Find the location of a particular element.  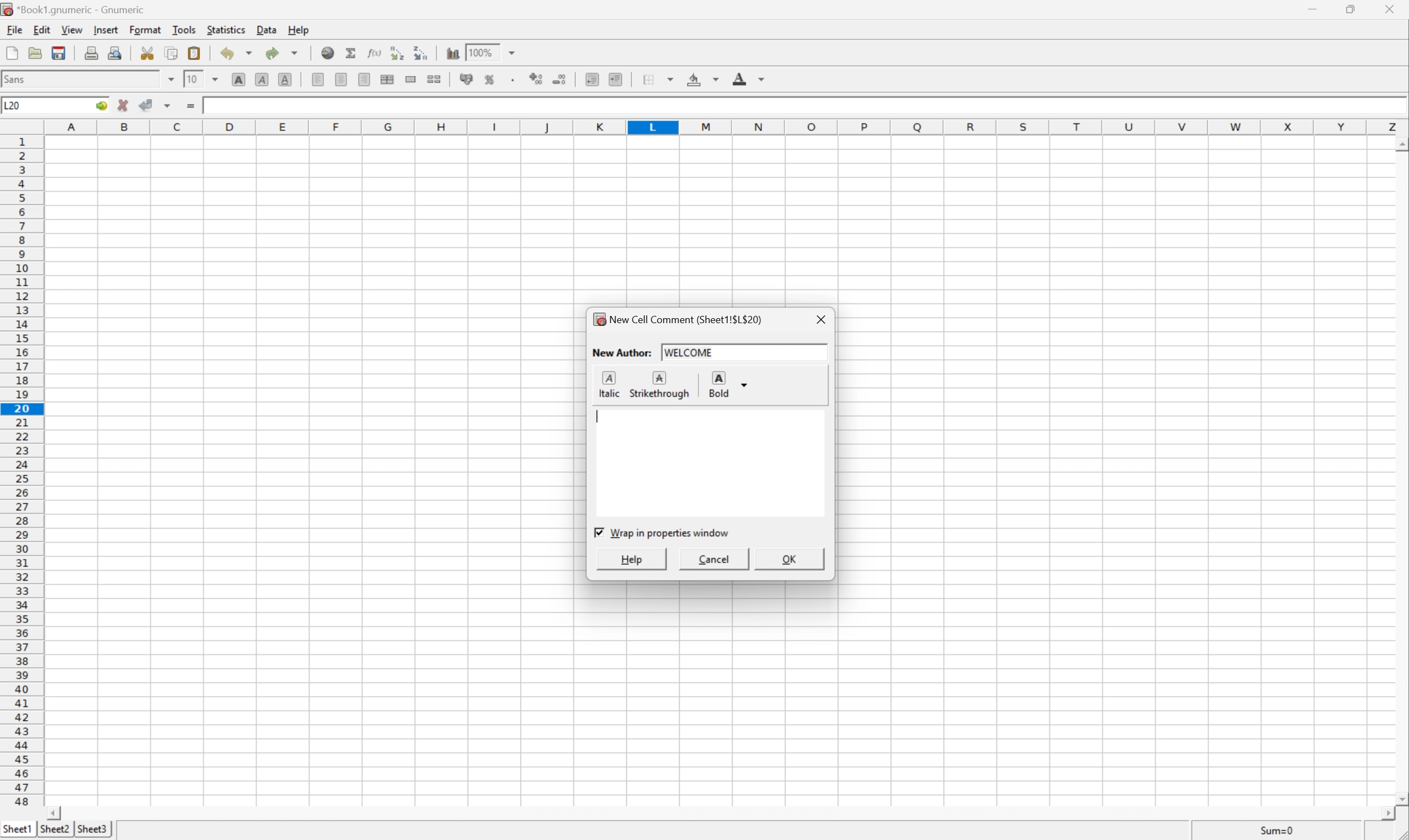

Sheet3 is located at coordinates (54, 829).